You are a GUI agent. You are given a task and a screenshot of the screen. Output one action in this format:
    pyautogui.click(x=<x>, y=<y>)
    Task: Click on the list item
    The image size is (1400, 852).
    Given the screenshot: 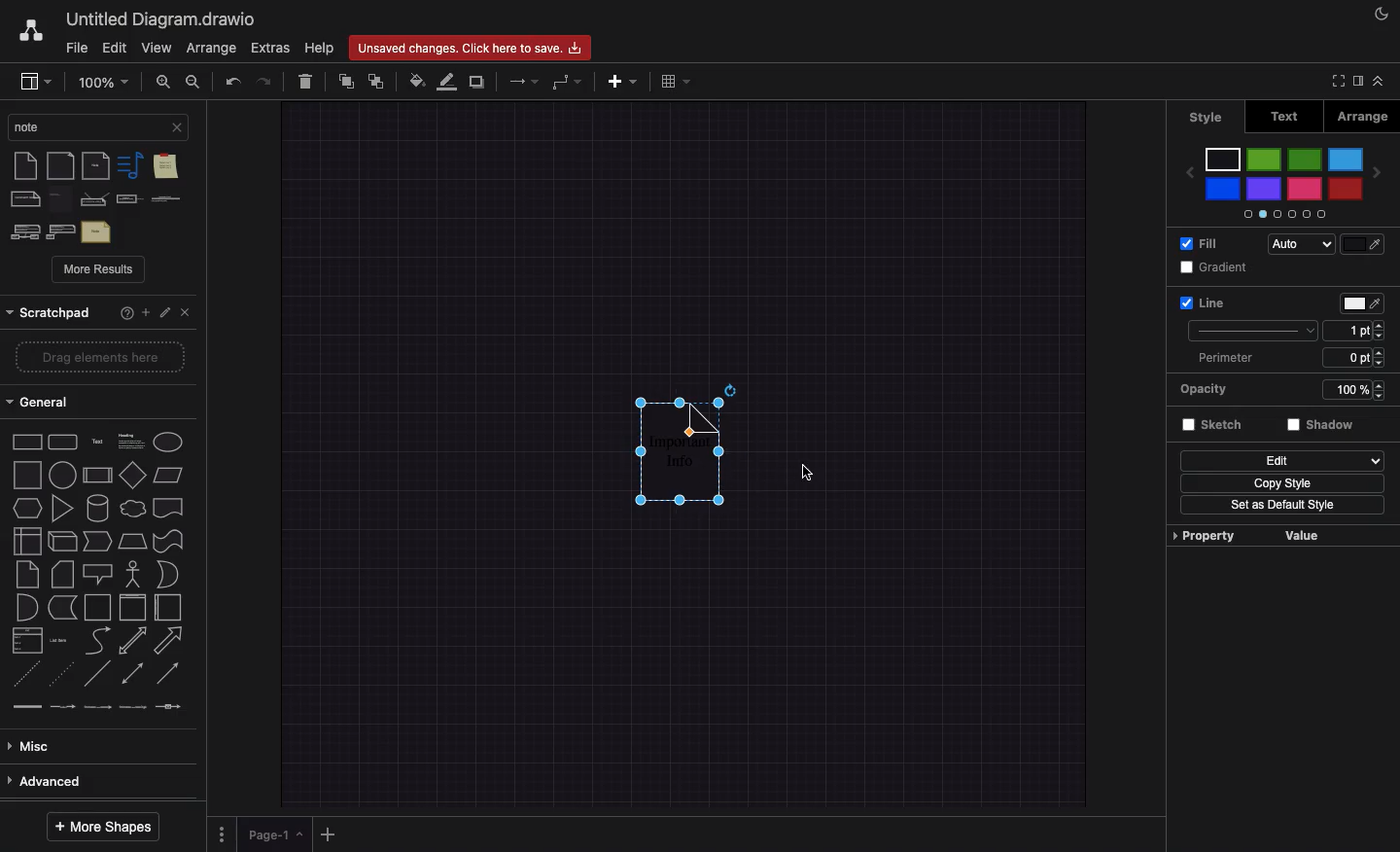 What is the action you would take?
    pyautogui.click(x=60, y=642)
    